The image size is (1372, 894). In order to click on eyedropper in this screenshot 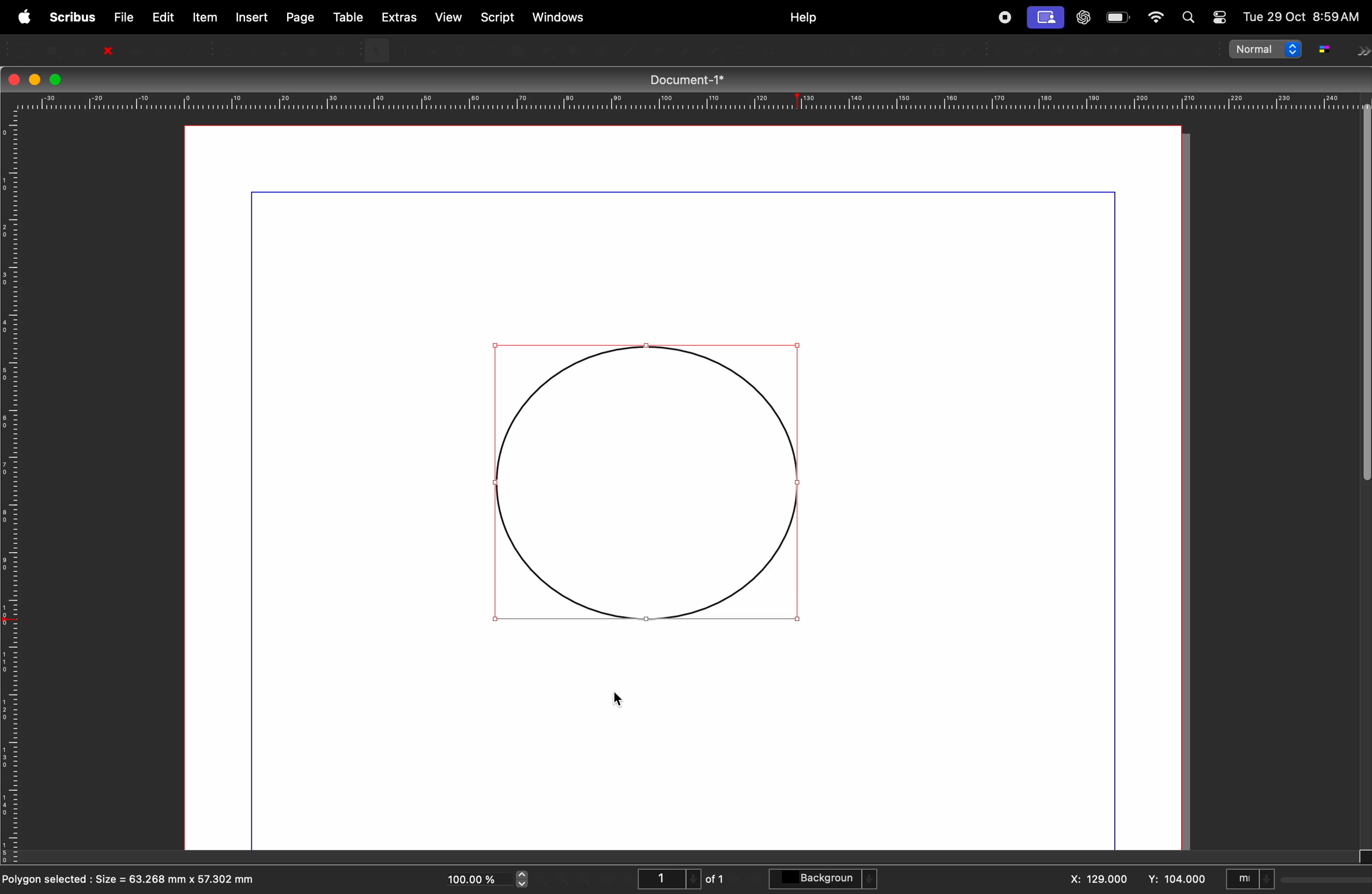, I will do `click(968, 50)`.